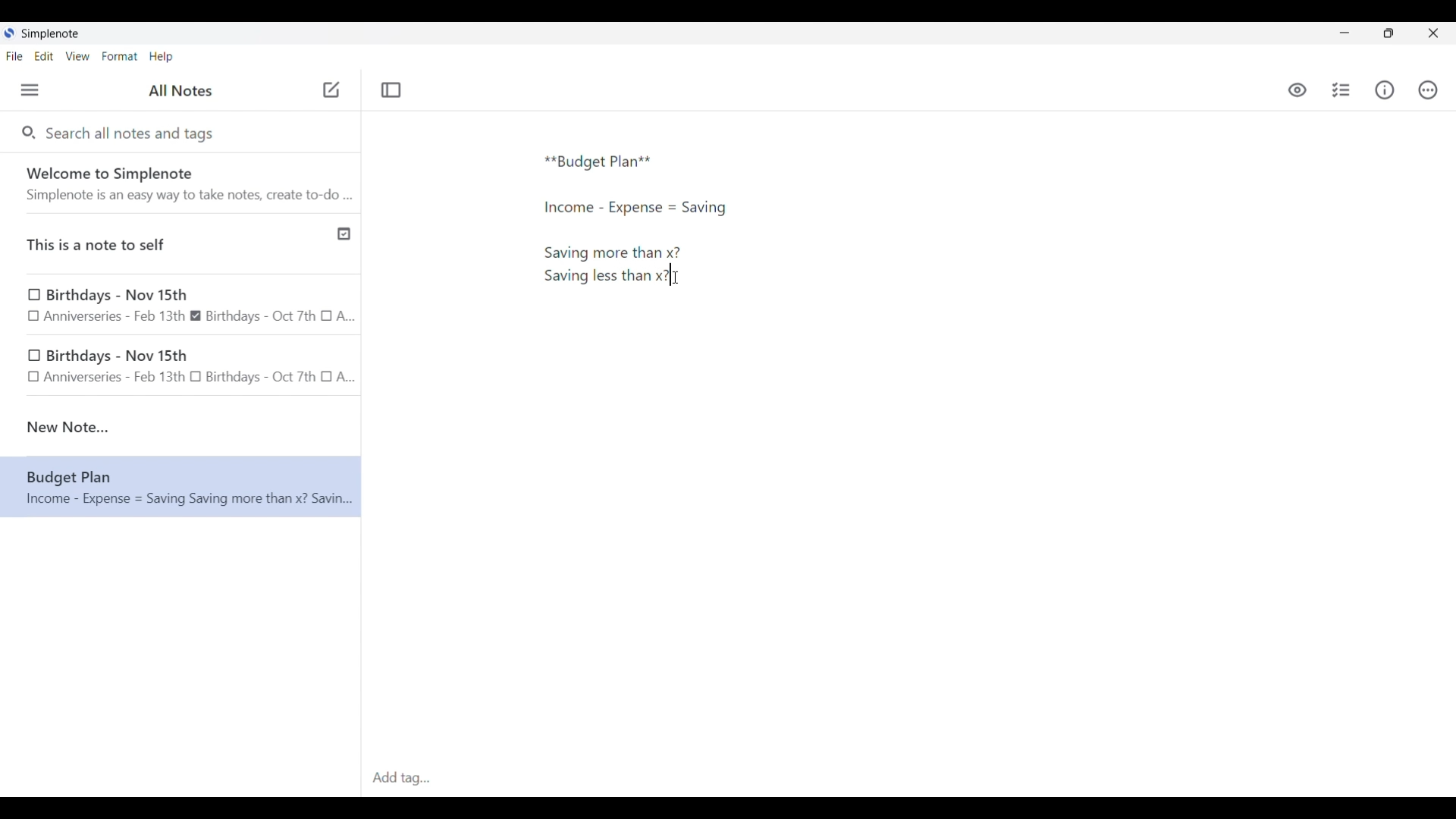 The image size is (1456, 819). Describe the element at coordinates (14, 55) in the screenshot. I see `File menu` at that location.